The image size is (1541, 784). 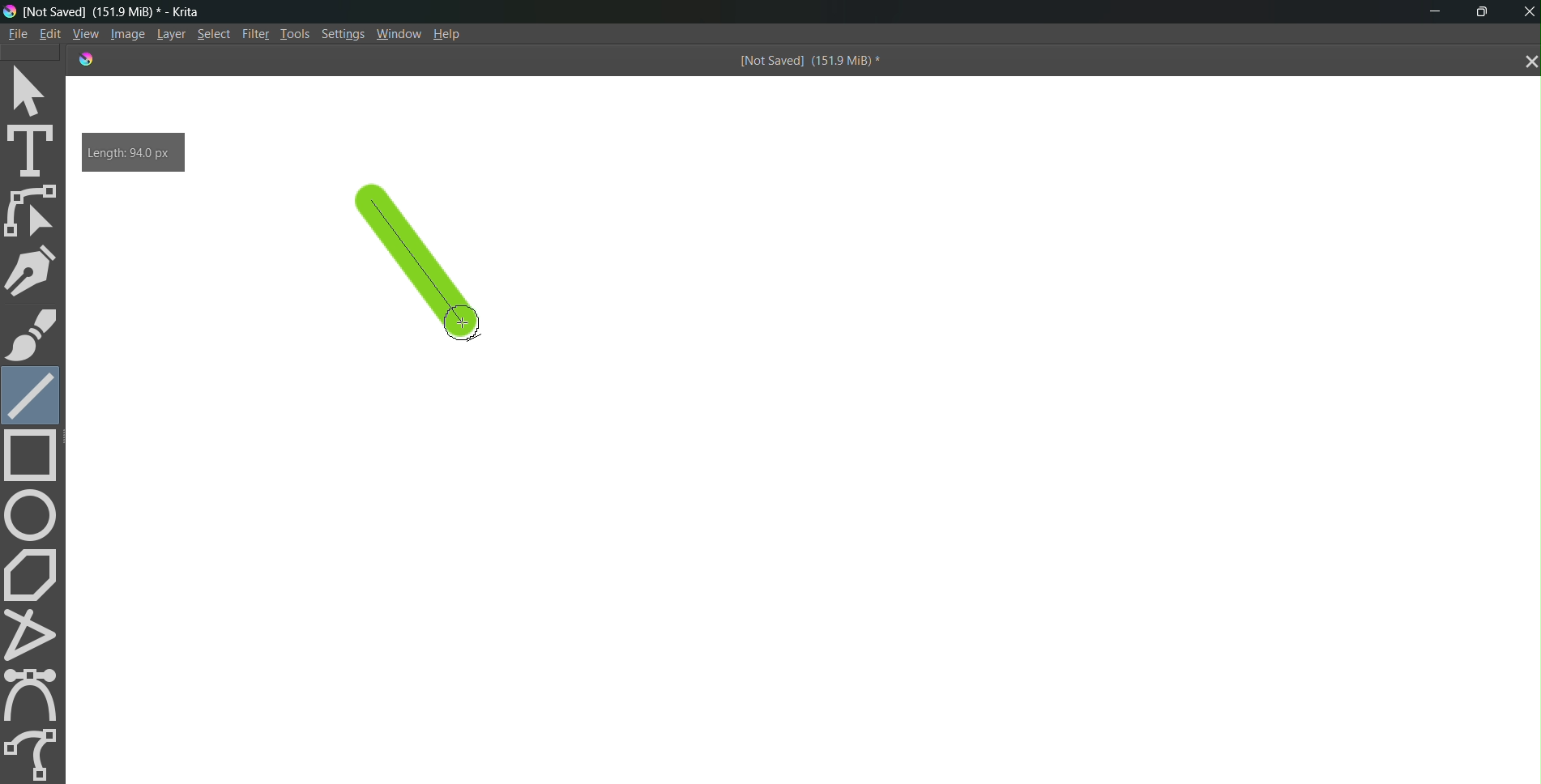 What do you see at coordinates (50, 34) in the screenshot?
I see `Edit` at bounding box center [50, 34].